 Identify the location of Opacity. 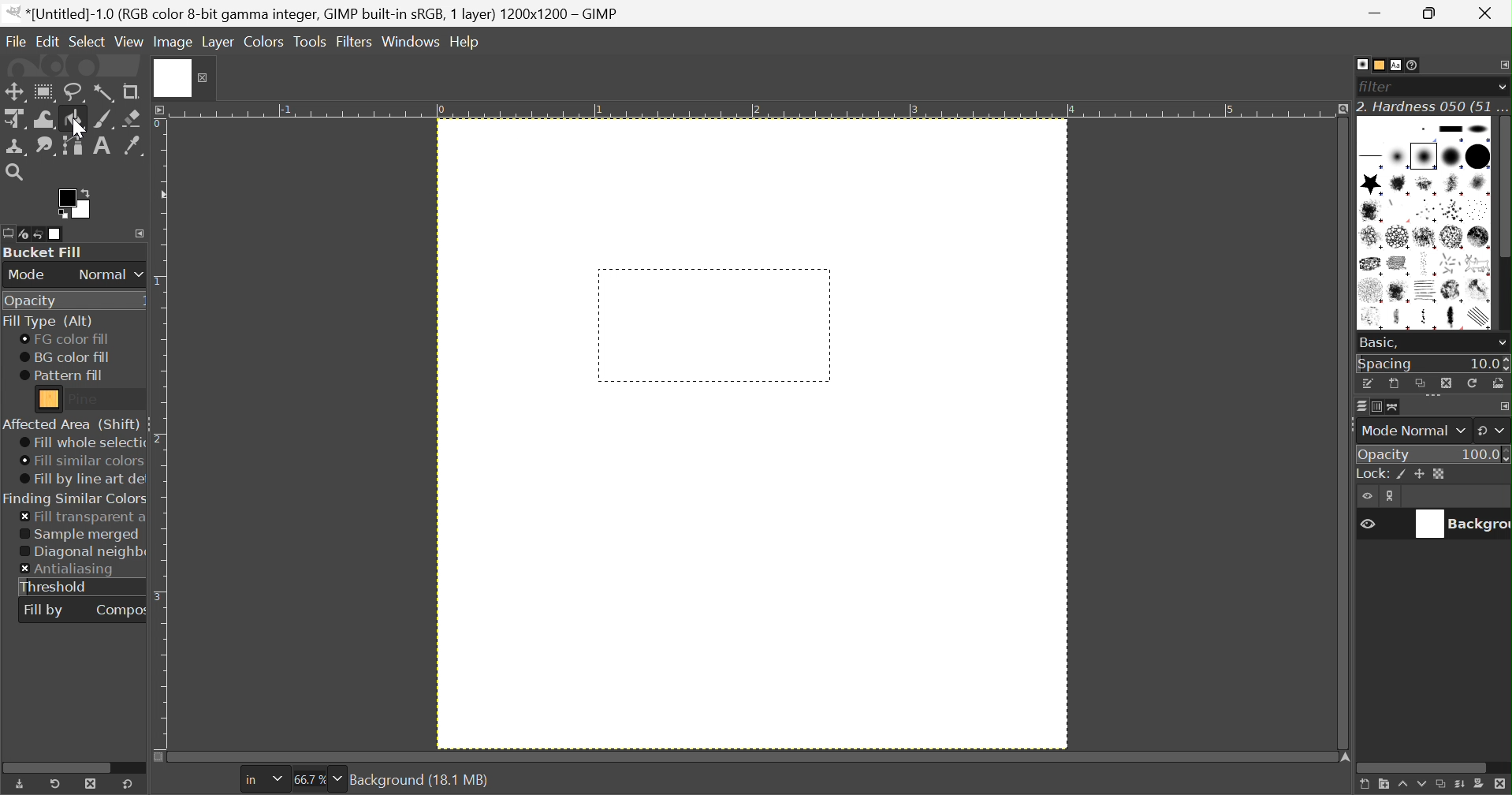
(1386, 454).